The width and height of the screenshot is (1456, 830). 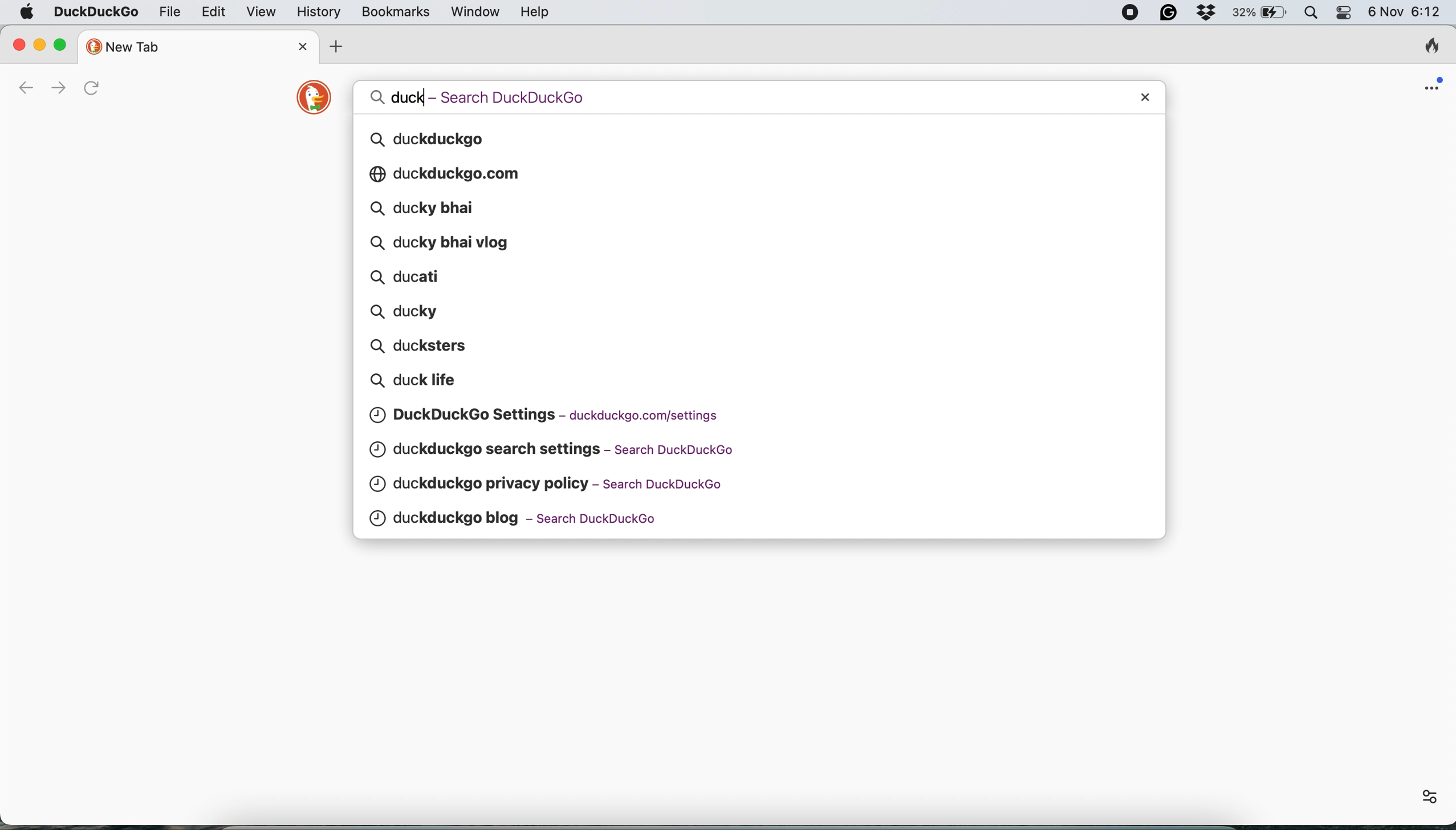 What do you see at coordinates (396, 13) in the screenshot?
I see `bookmarks` at bounding box center [396, 13].